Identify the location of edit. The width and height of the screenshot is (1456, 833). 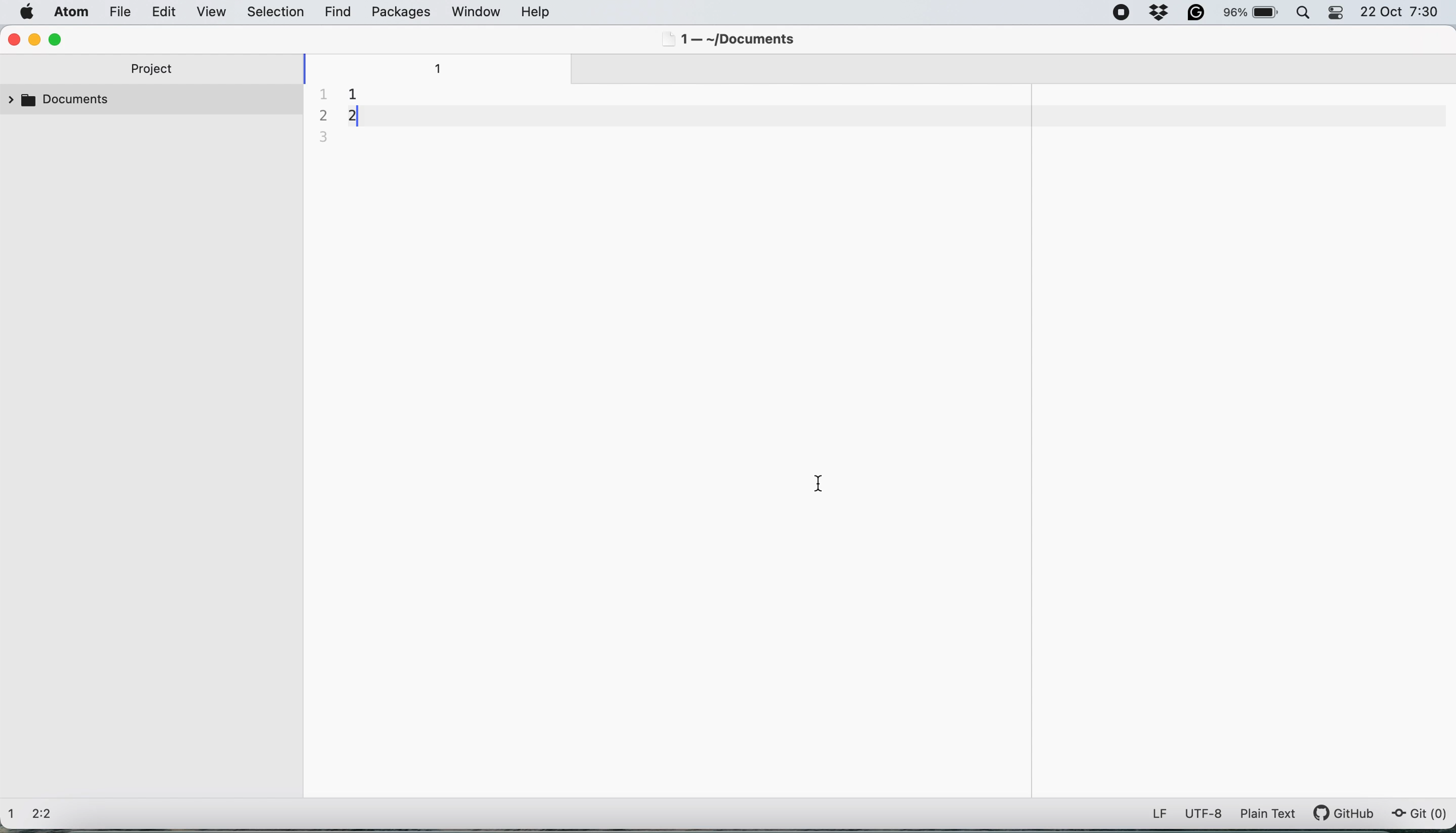
(170, 11).